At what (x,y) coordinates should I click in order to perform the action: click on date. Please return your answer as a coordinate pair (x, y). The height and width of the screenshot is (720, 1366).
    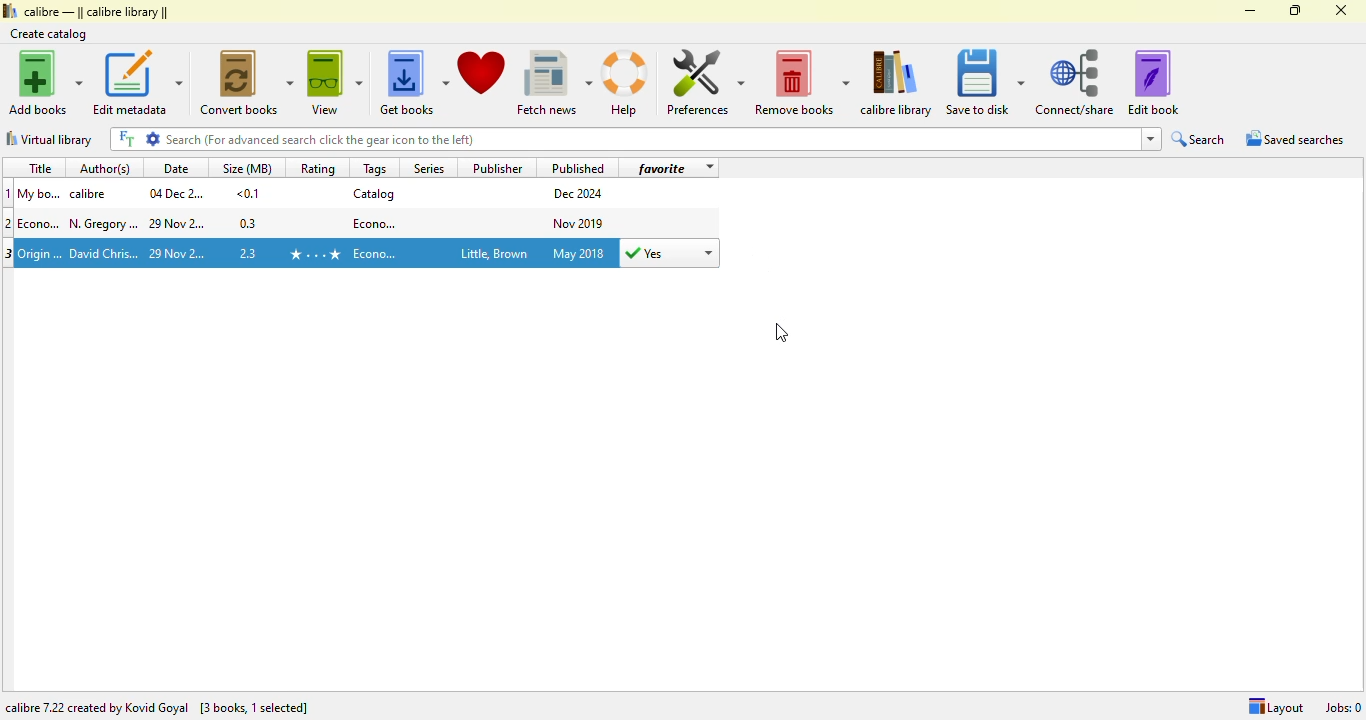
    Looking at the image, I should click on (178, 225).